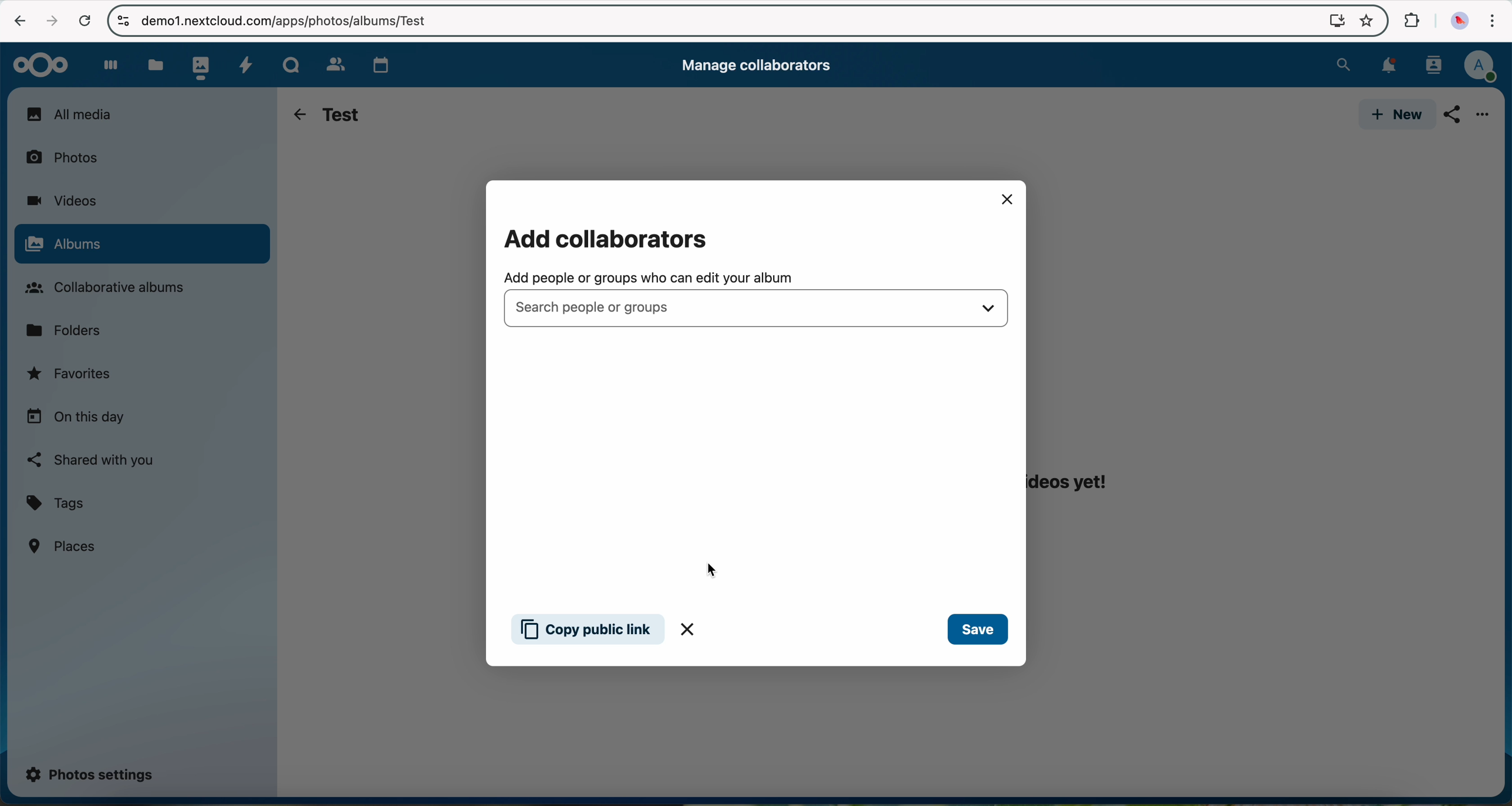  What do you see at coordinates (1343, 63) in the screenshot?
I see `search` at bounding box center [1343, 63].